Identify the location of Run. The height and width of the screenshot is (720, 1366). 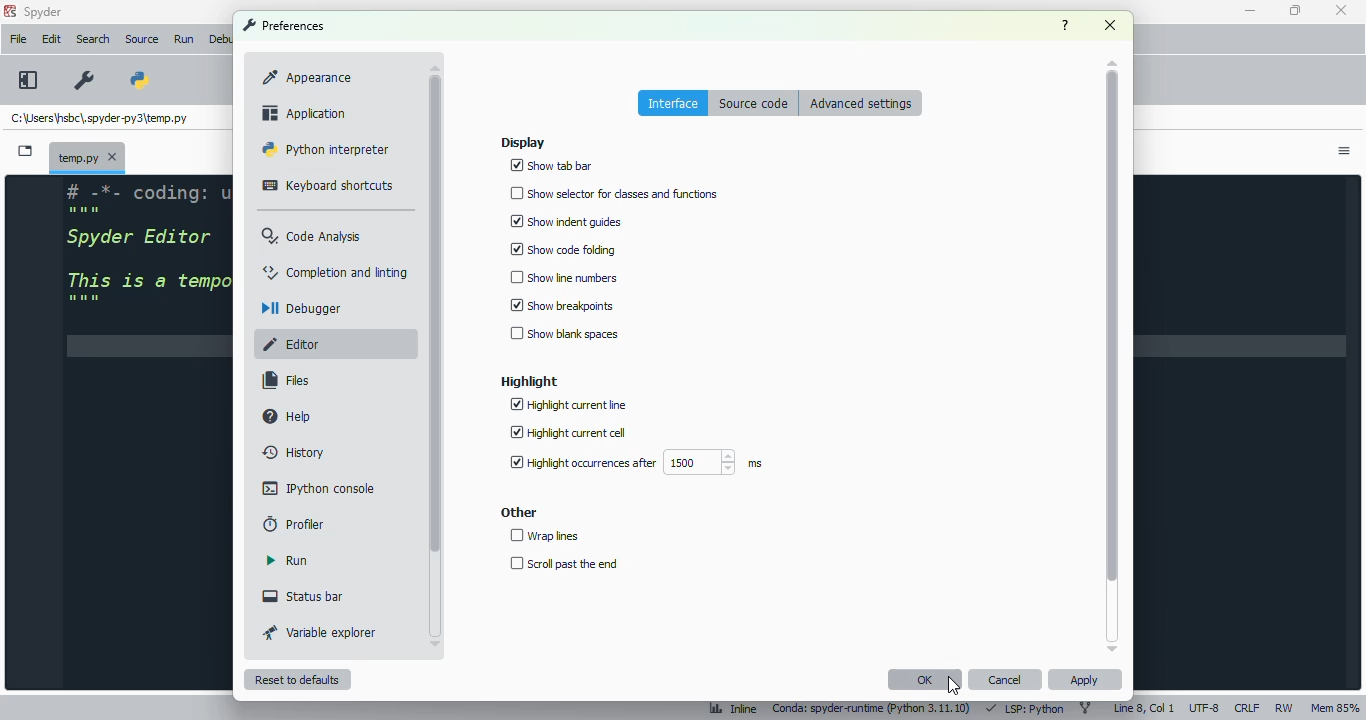
(181, 39).